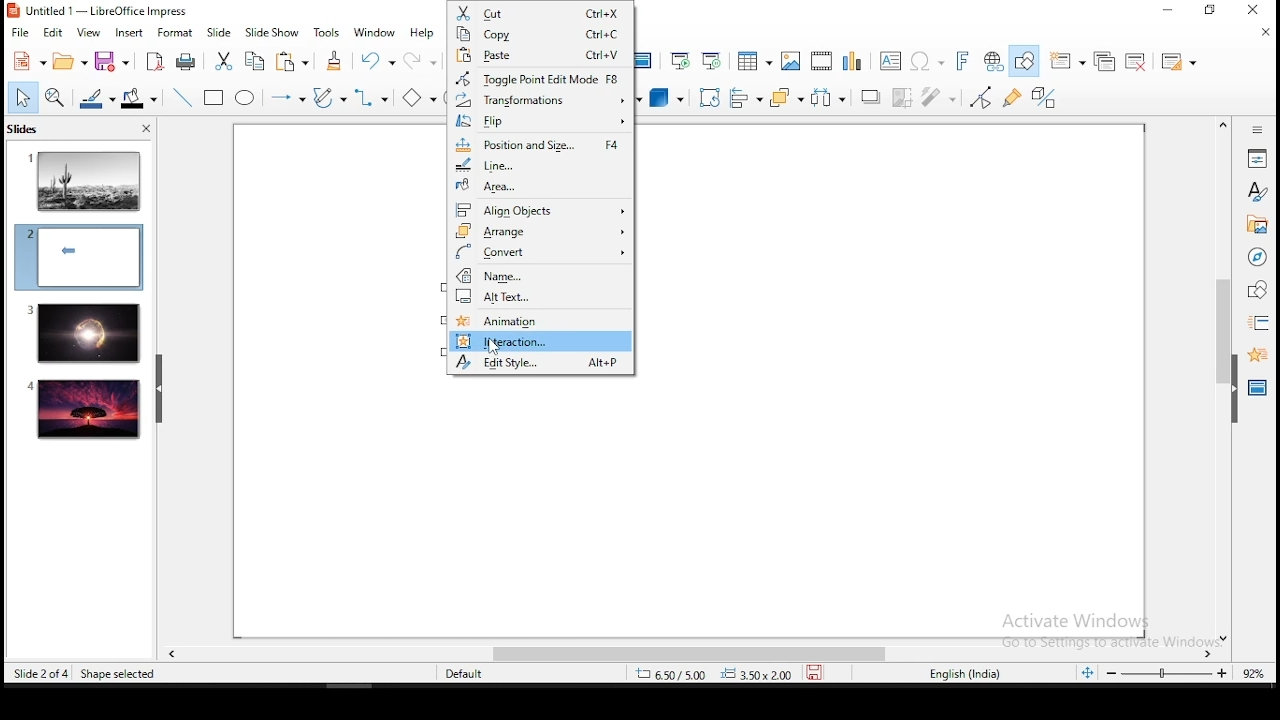 Image resolution: width=1280 pixels, height=720 pixels. Describe the element at coordinates (27, 61) in the screenshot. I see `new` at that location.